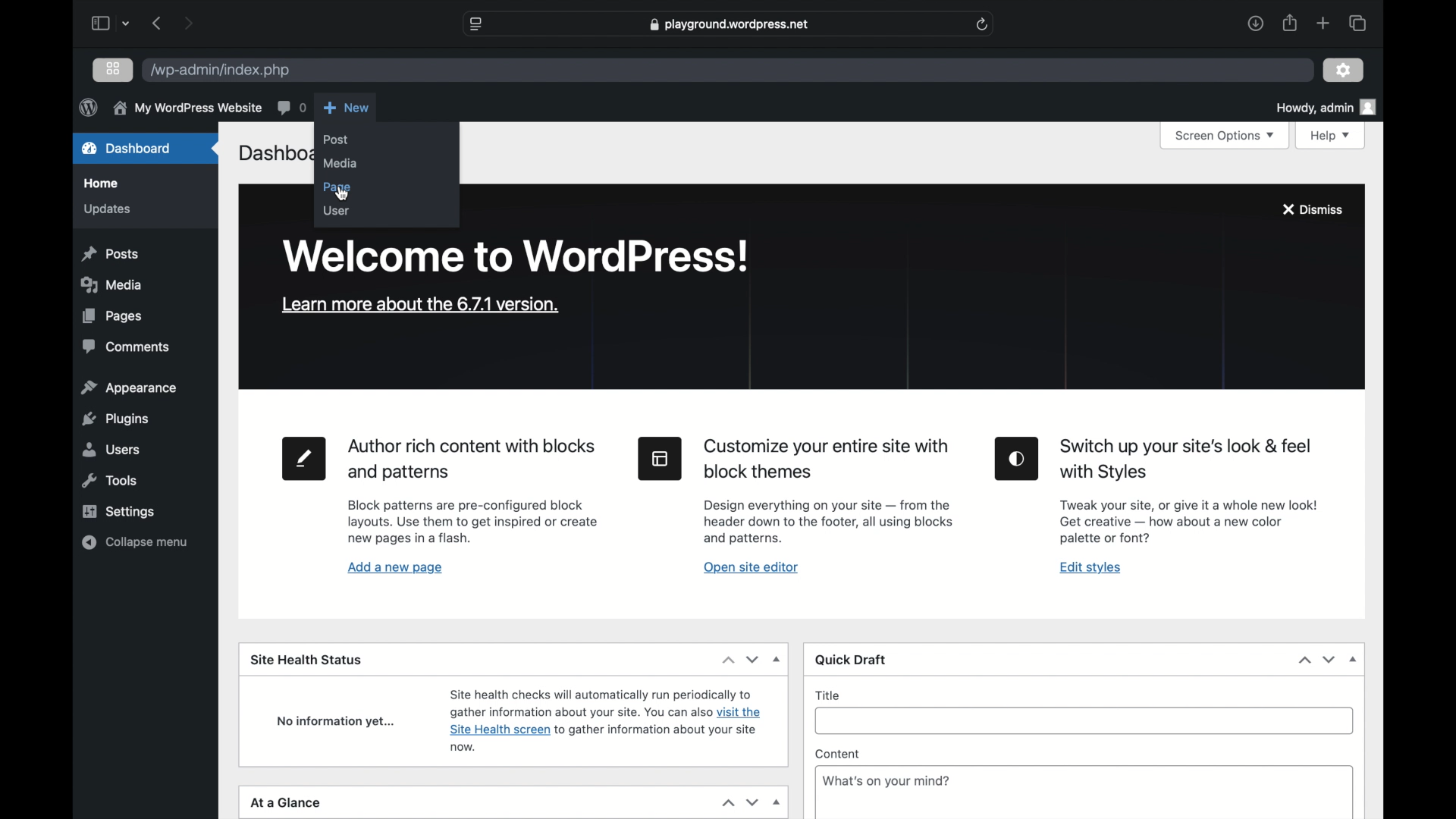  I want to click on edit styles, so click(1091, 568).